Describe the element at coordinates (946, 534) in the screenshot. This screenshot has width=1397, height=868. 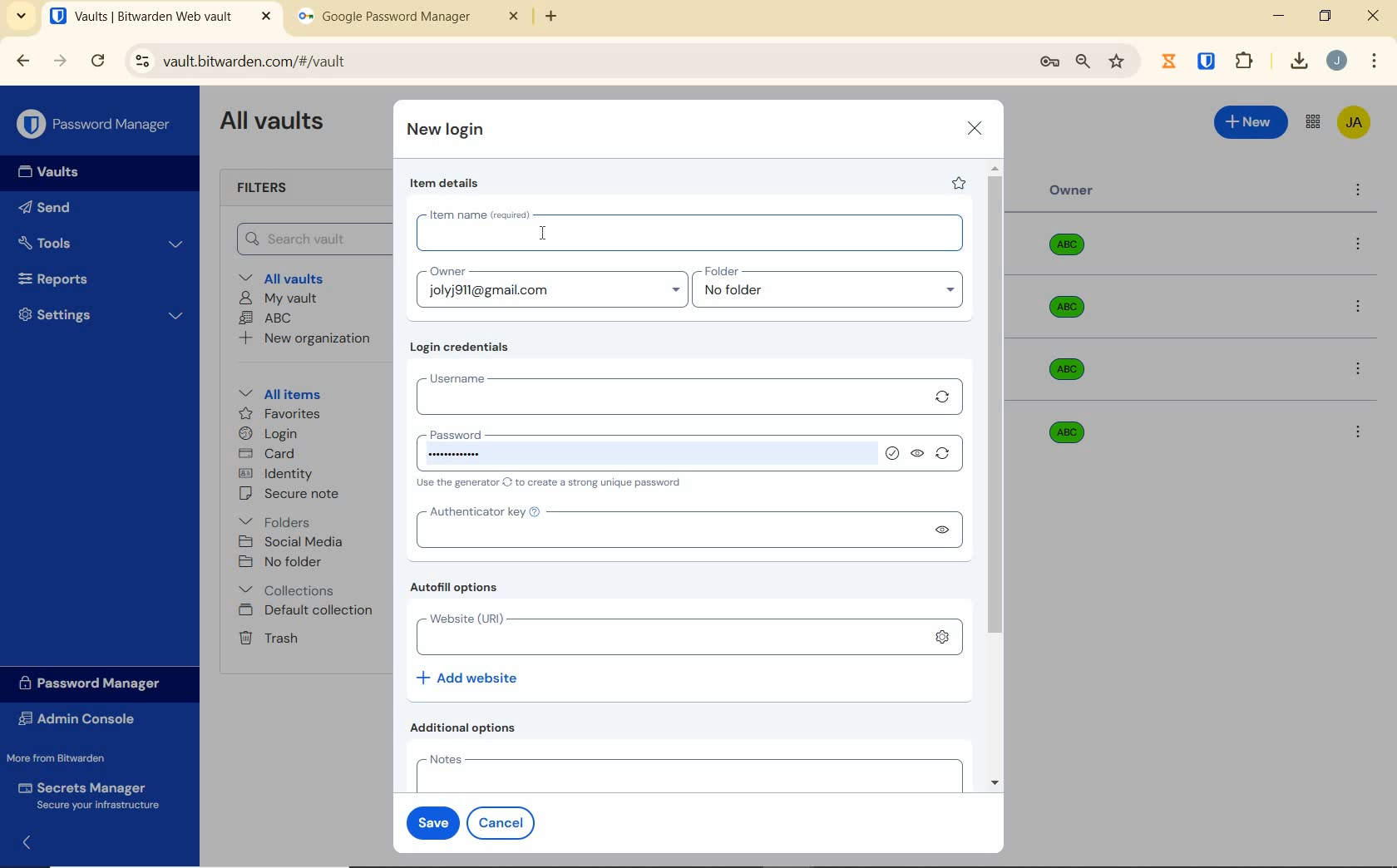
I see `unhide` at that location.